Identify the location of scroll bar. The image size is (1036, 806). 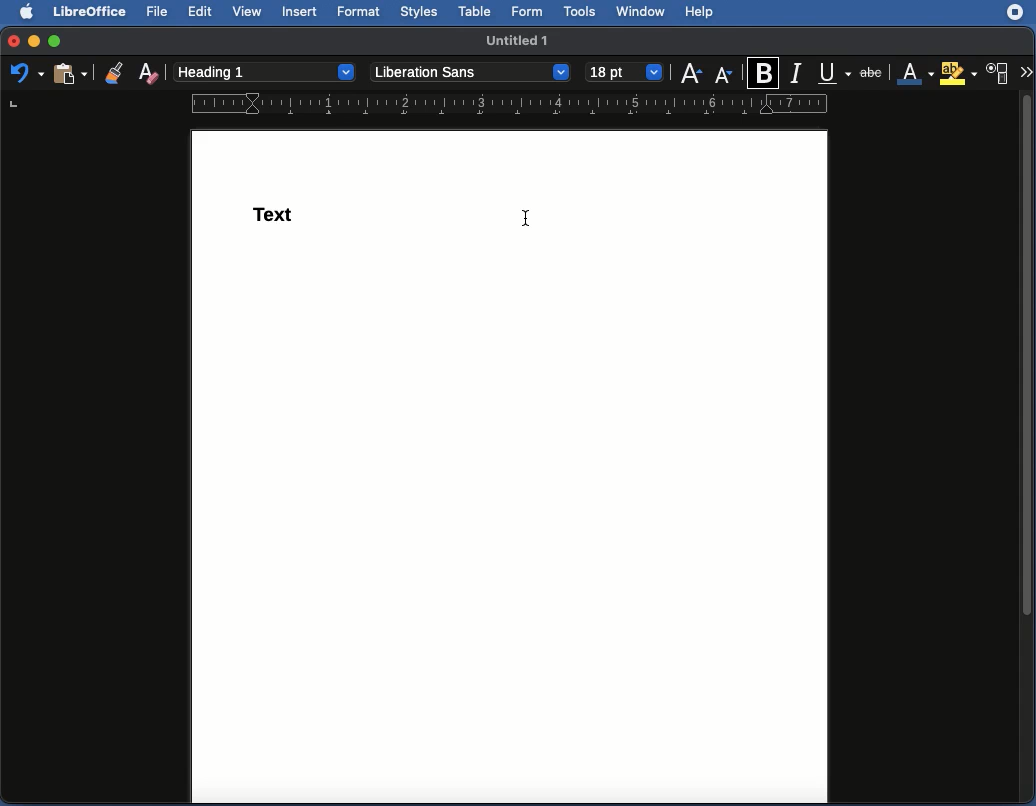
(1027, 447).